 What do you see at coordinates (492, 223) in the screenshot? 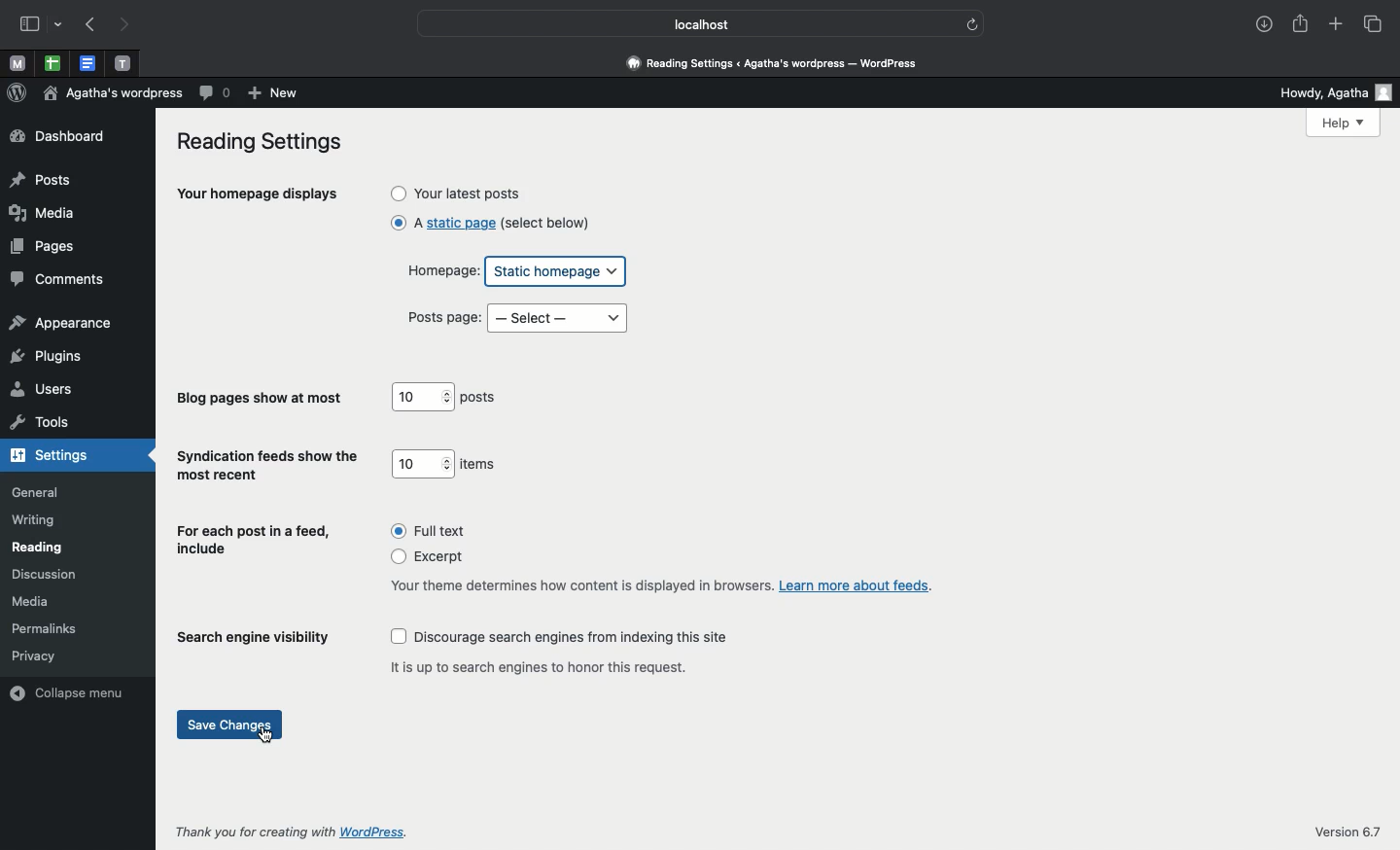
I see `A static page` at bounding box center [492, 223].